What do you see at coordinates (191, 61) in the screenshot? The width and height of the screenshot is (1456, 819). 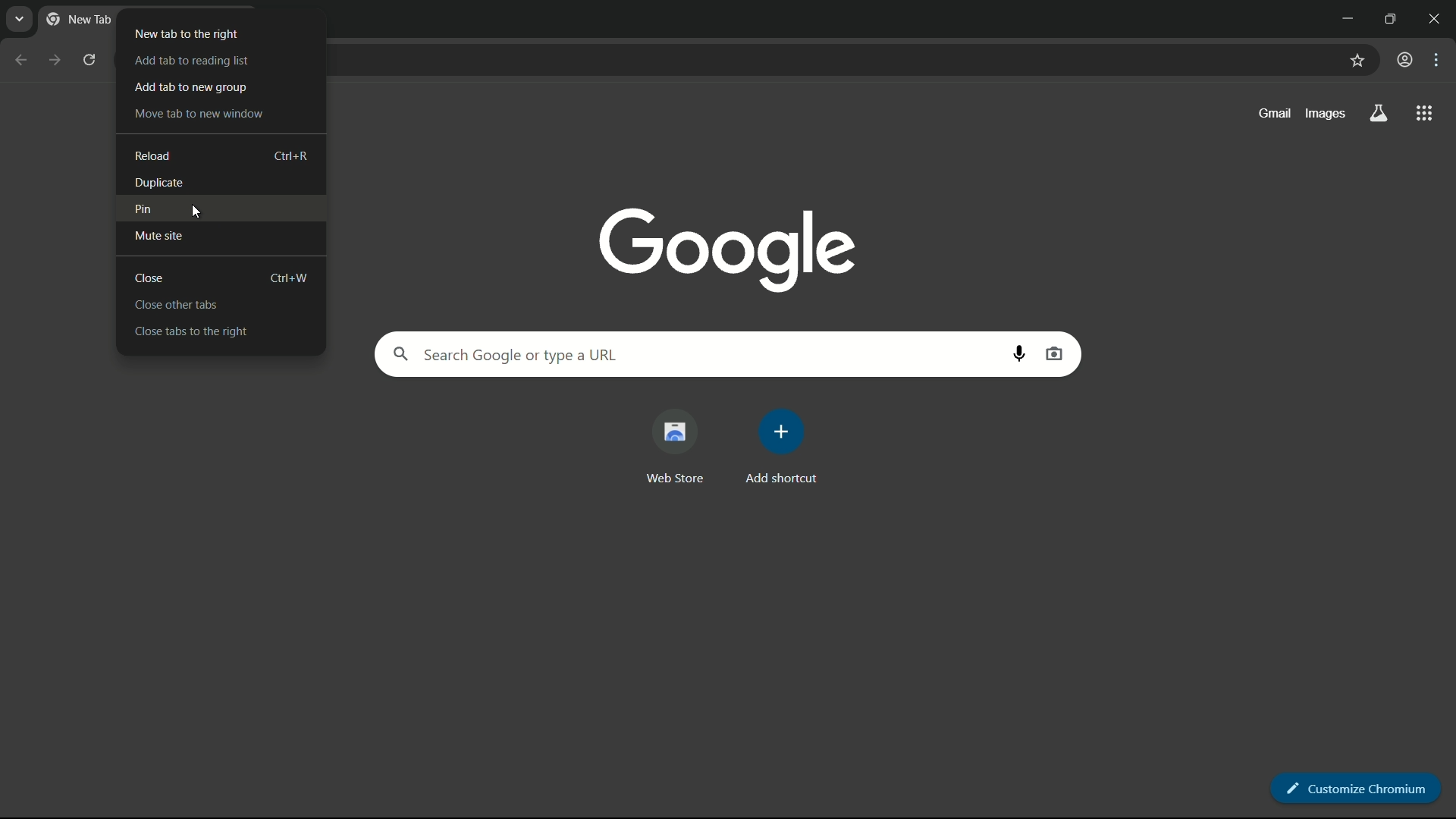 I see `add tab to reading list` at bounding box center [191, 61].